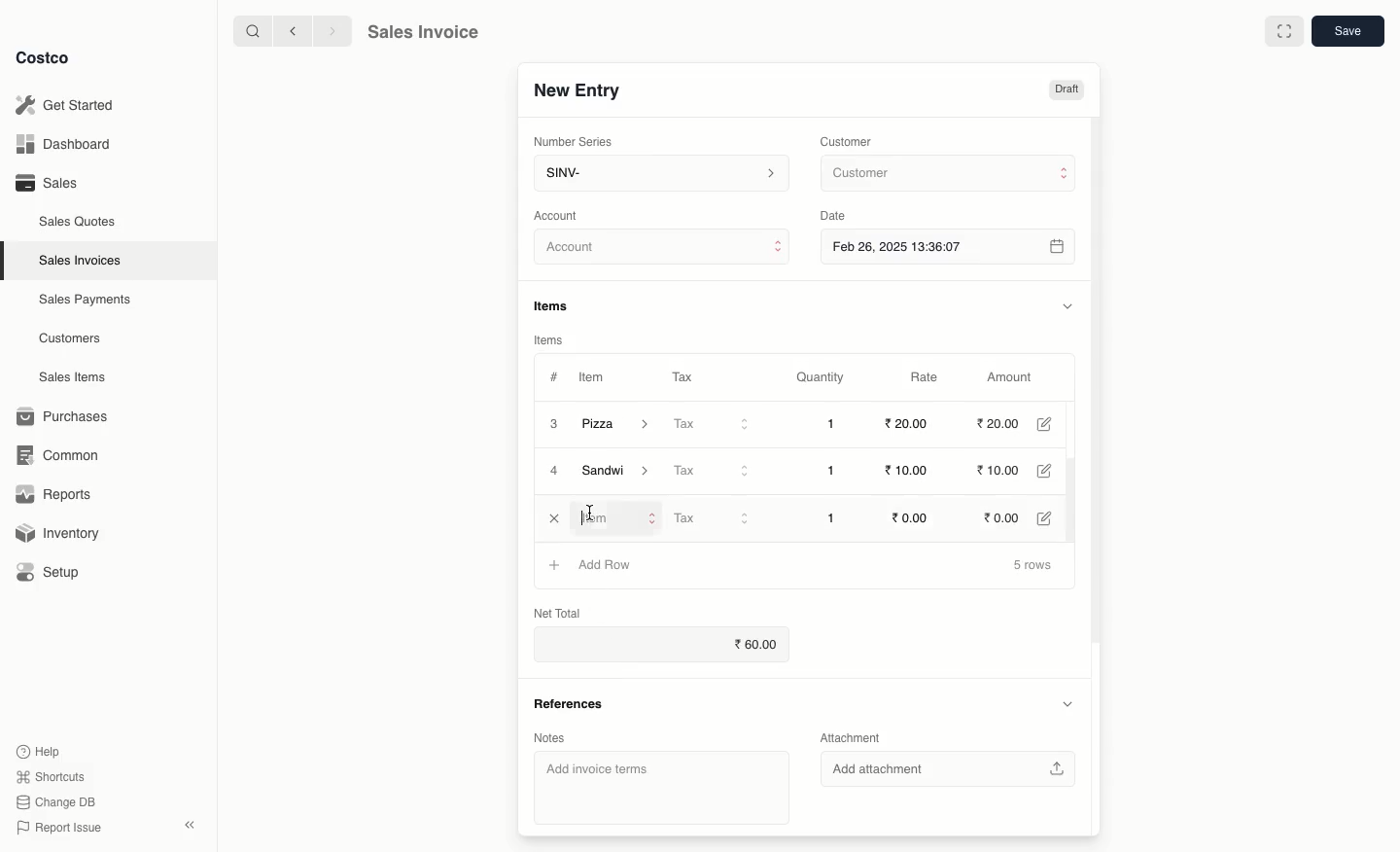  What do you see at coordinates (1053, 517) in the screenshot?
I see `Edit` at bounding box center [1053, 517].